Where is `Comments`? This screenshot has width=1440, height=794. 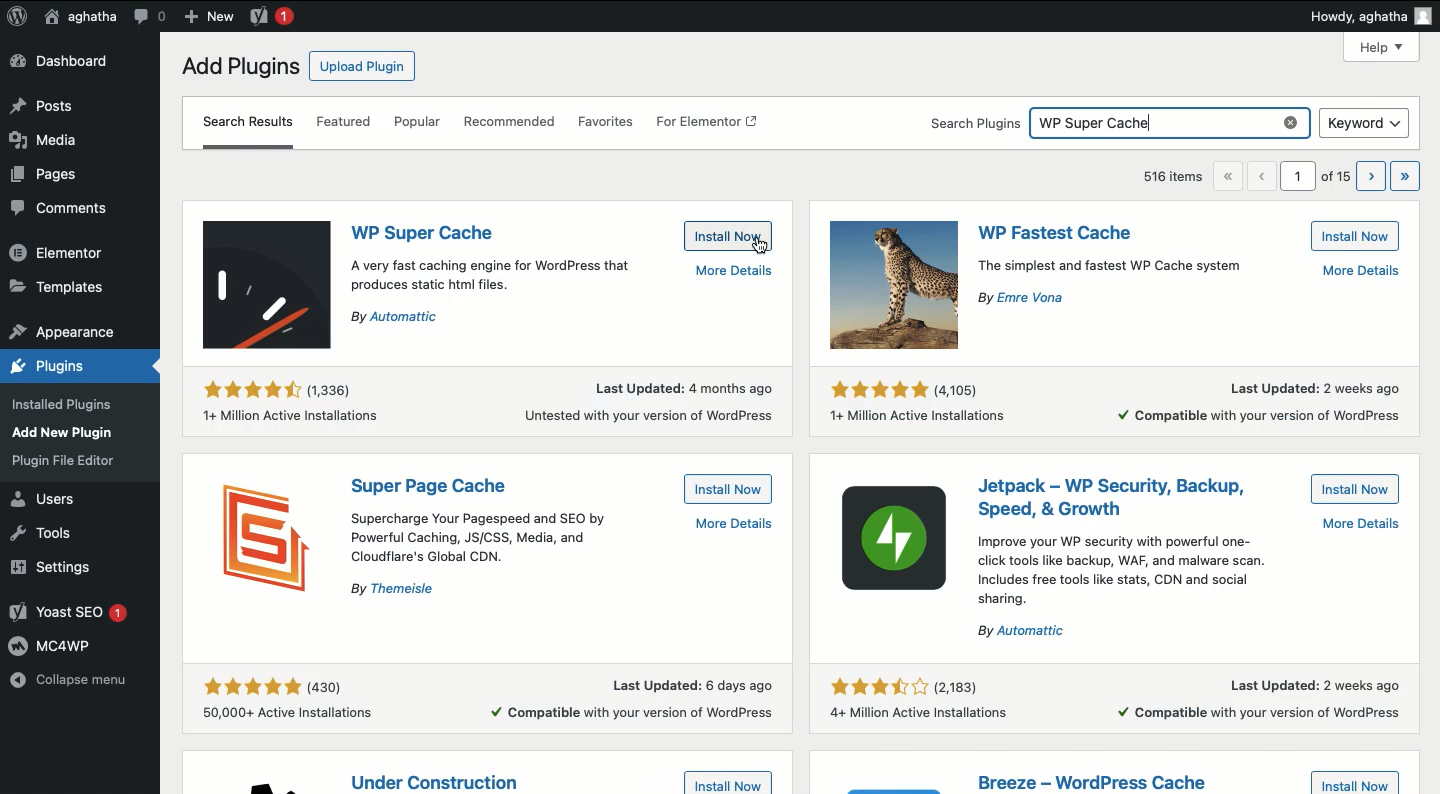 Comments is located at coordinates (57, 210).